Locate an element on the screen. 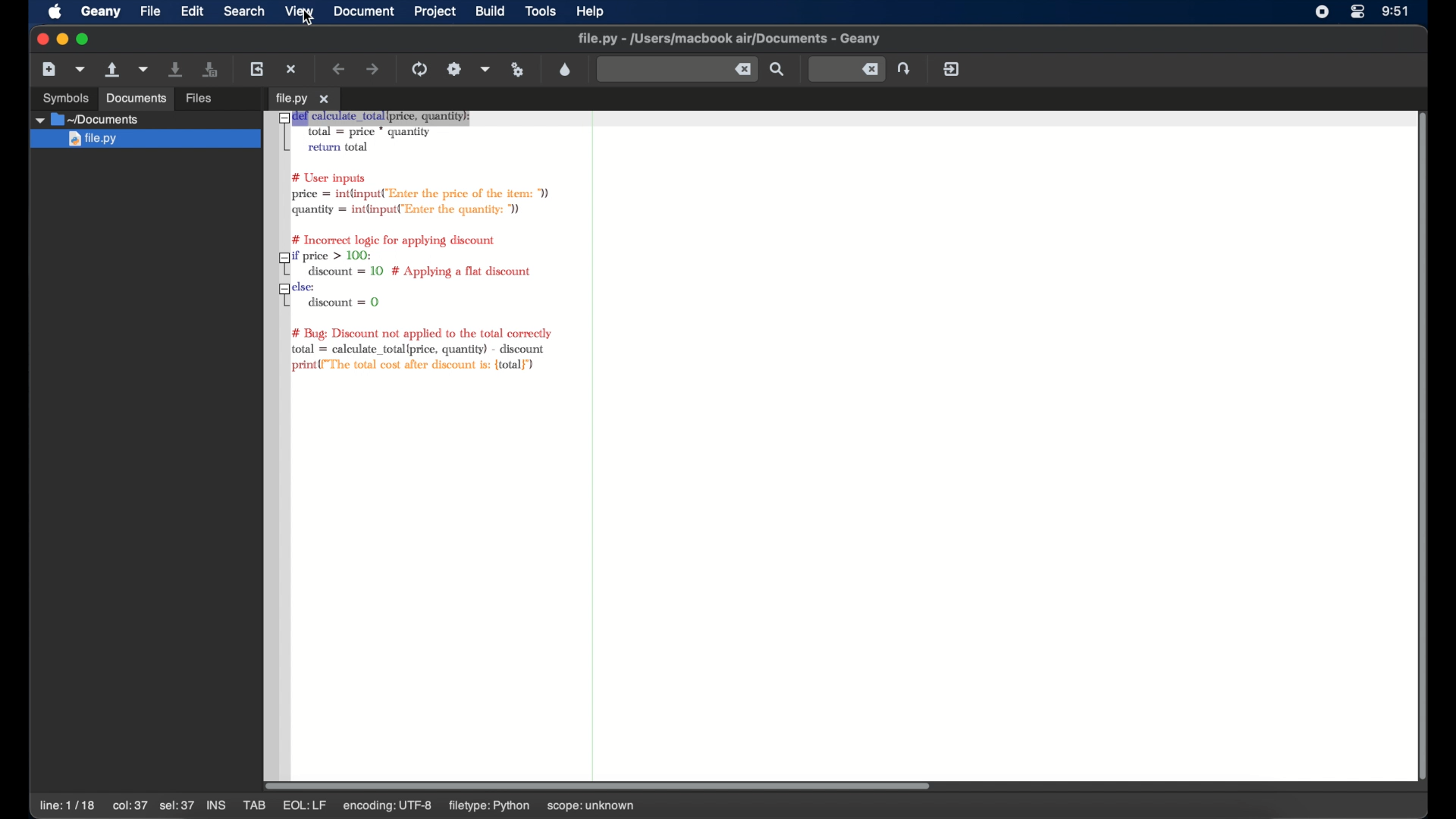 The height and width of the screenshot is (819, 1456). minimize is located at coordinates (63, 39).